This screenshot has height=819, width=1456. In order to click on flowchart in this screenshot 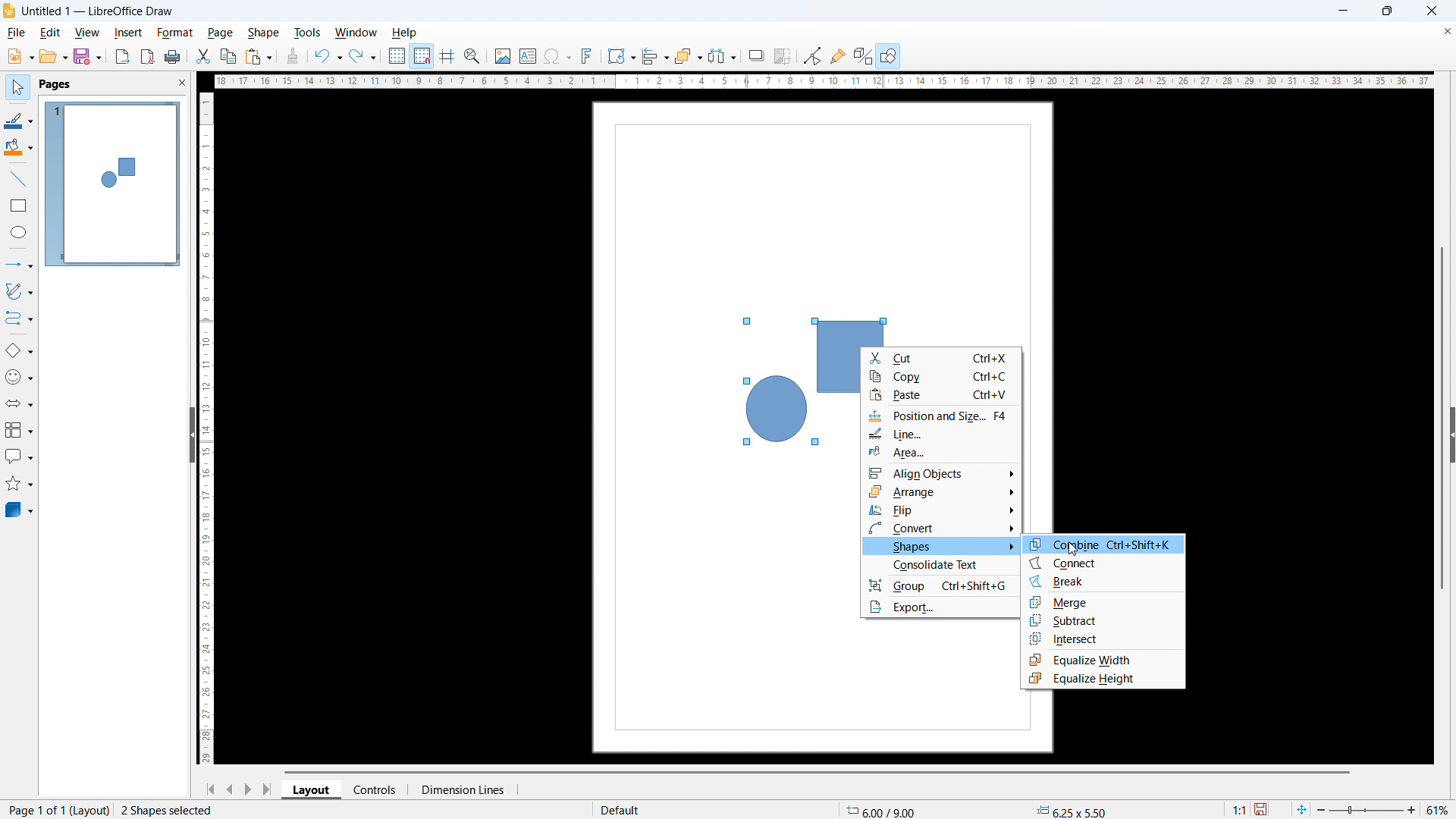, I will do `click(17, 431)`.